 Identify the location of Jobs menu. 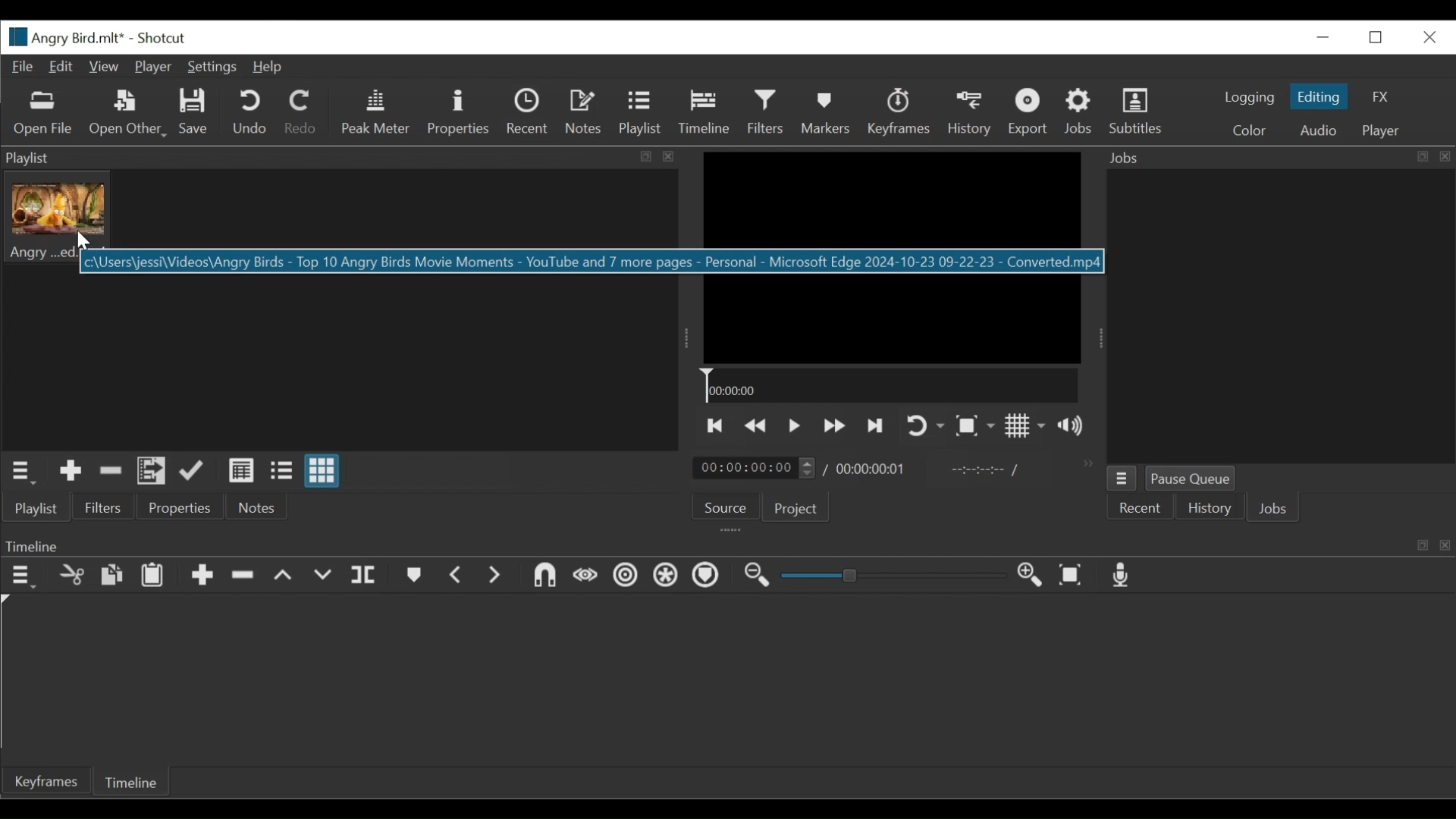
(1122, 479).